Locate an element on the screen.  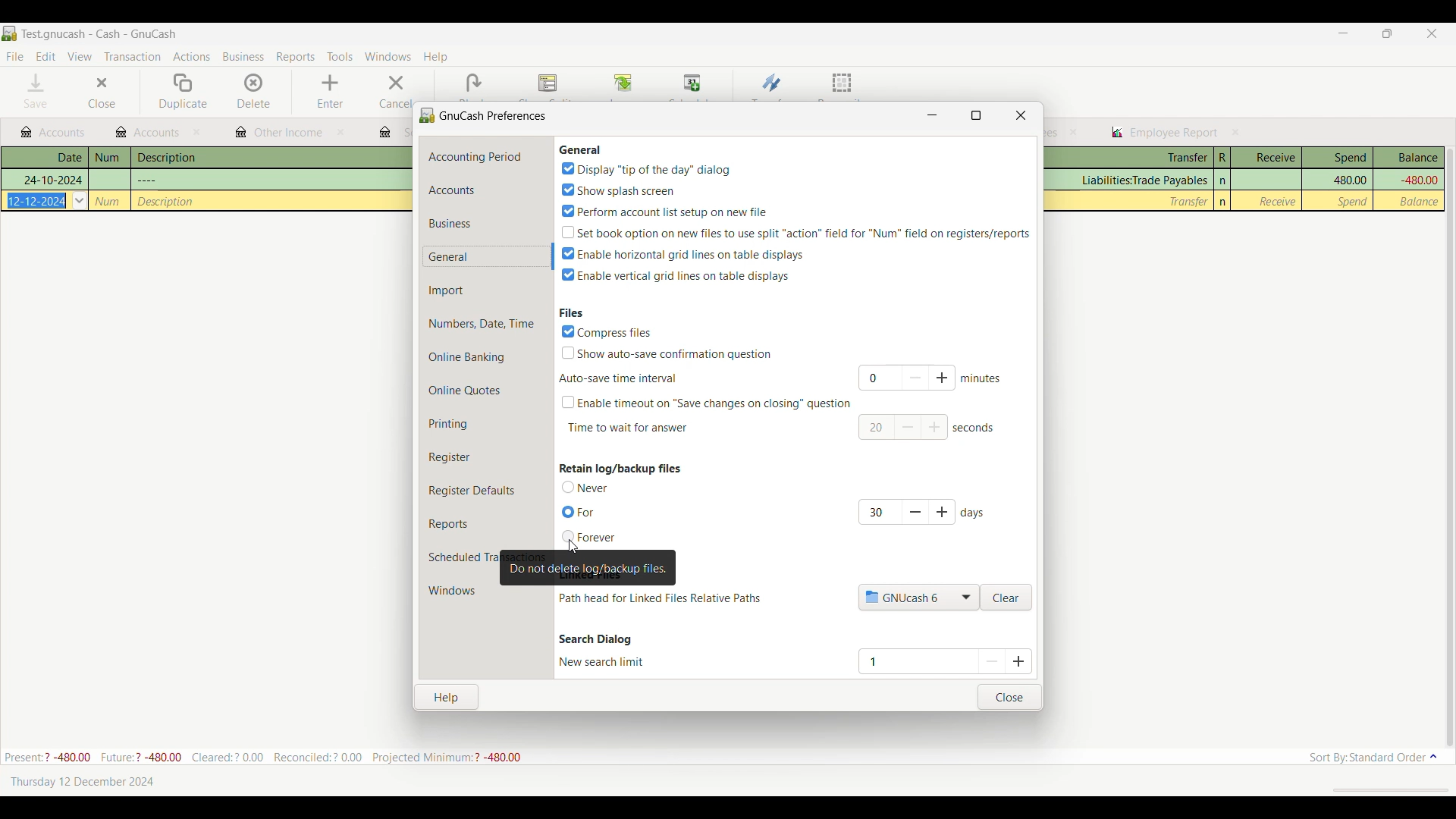
Show in smaller tab is located at coordinates (1387, 33).